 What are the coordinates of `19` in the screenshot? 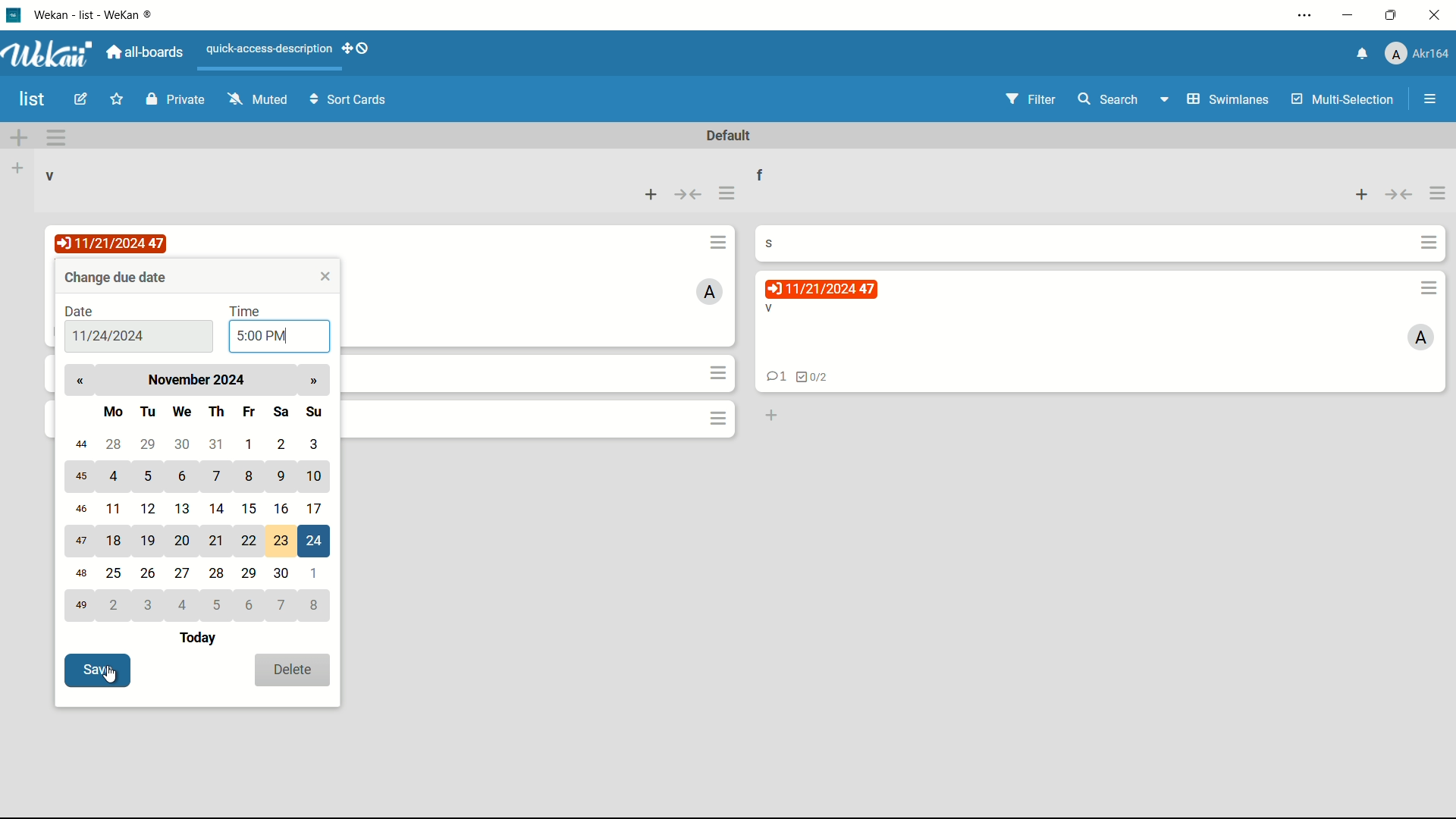 It's located at (150, 541).